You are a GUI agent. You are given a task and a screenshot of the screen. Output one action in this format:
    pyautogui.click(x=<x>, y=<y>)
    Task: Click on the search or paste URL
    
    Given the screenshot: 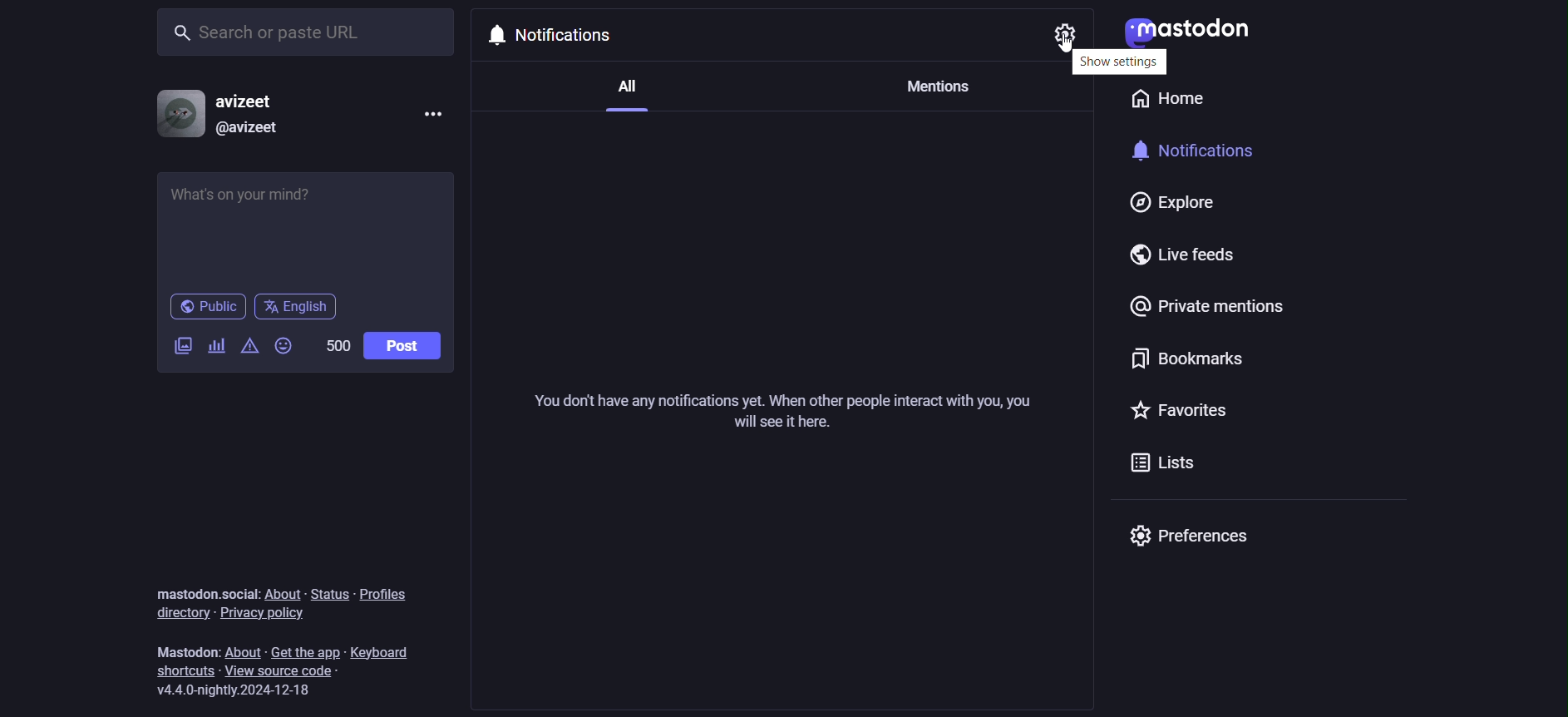 What is the action you would take?
    pyautogui.click(x=307, y=28)
    